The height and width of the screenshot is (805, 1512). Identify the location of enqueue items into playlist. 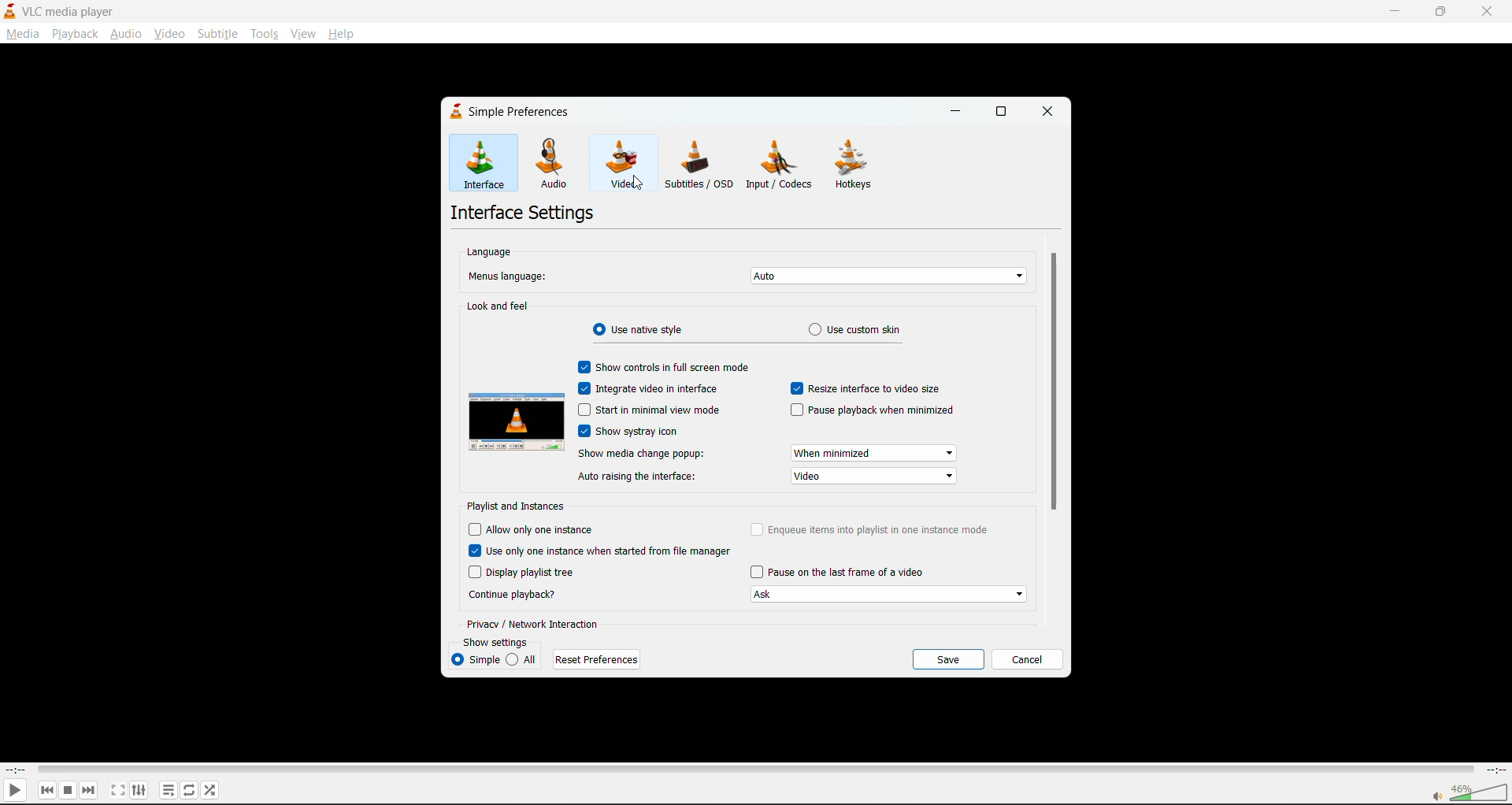
(871, 529).